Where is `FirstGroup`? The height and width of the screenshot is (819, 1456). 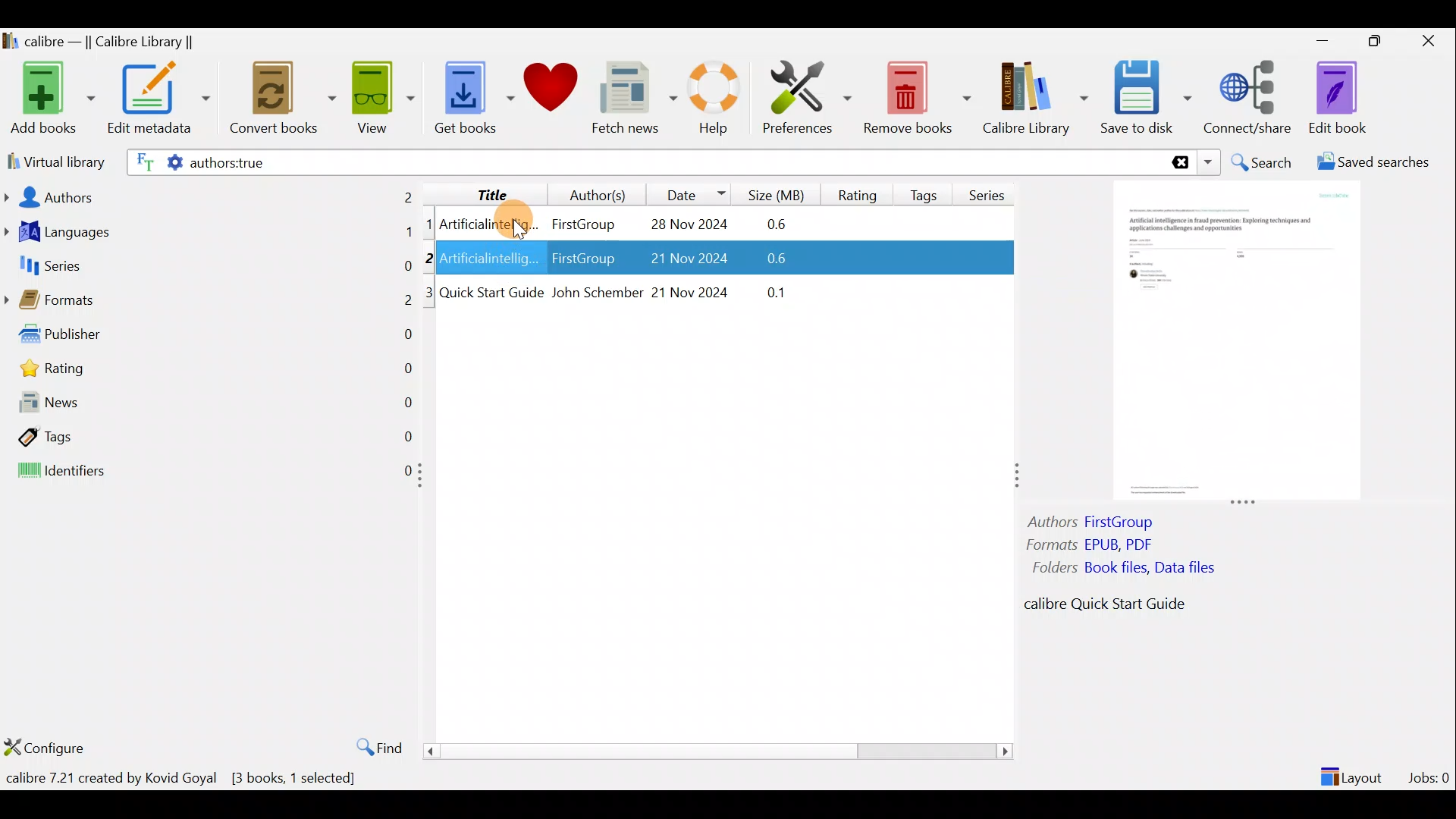
FirstGroup is located at coordinates (582, 221).